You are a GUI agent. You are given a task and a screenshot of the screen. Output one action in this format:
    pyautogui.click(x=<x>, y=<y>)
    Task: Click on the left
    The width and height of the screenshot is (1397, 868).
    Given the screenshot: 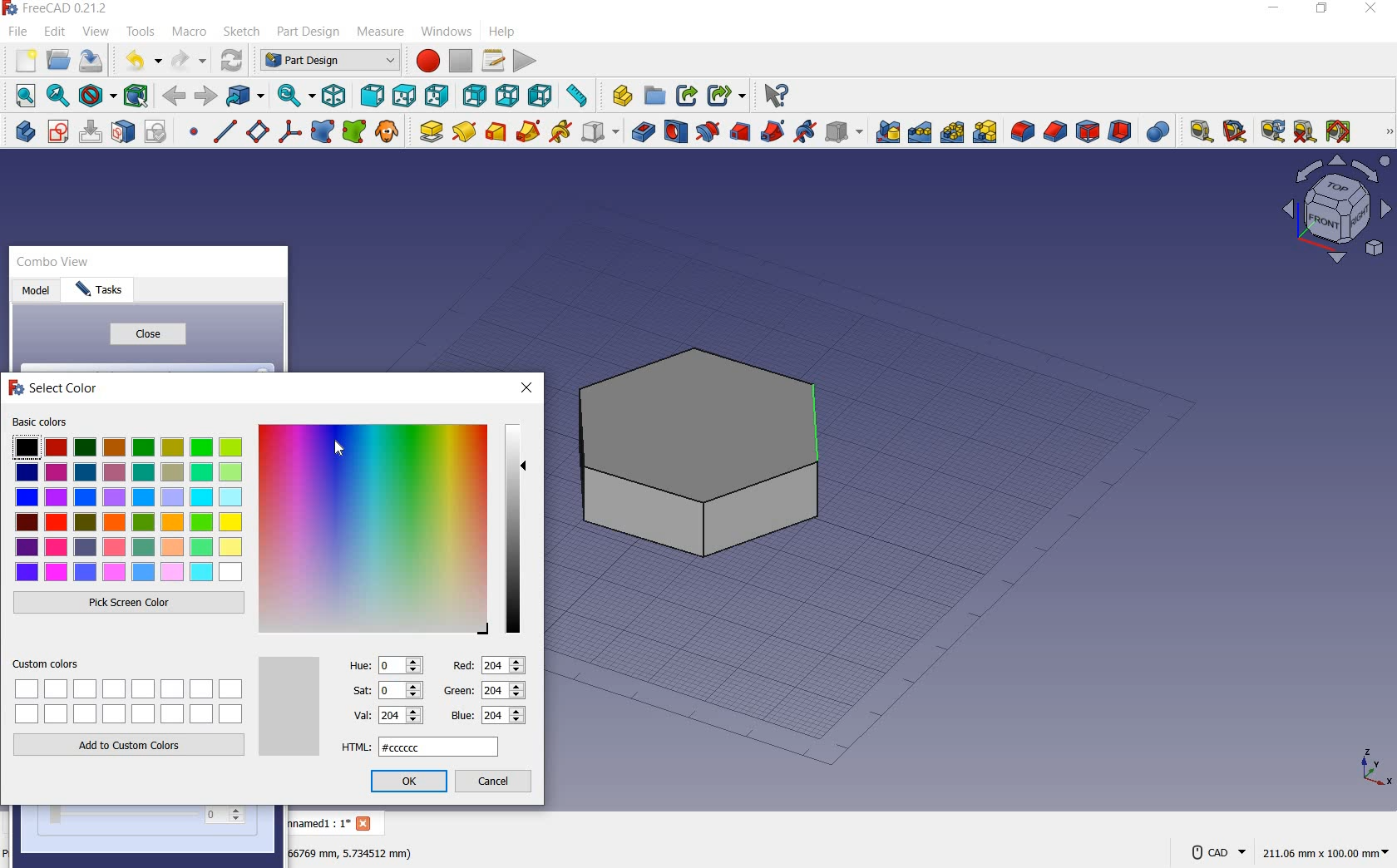 What is the action you would take?
    pyautogui.click(x=542, y=96)
    